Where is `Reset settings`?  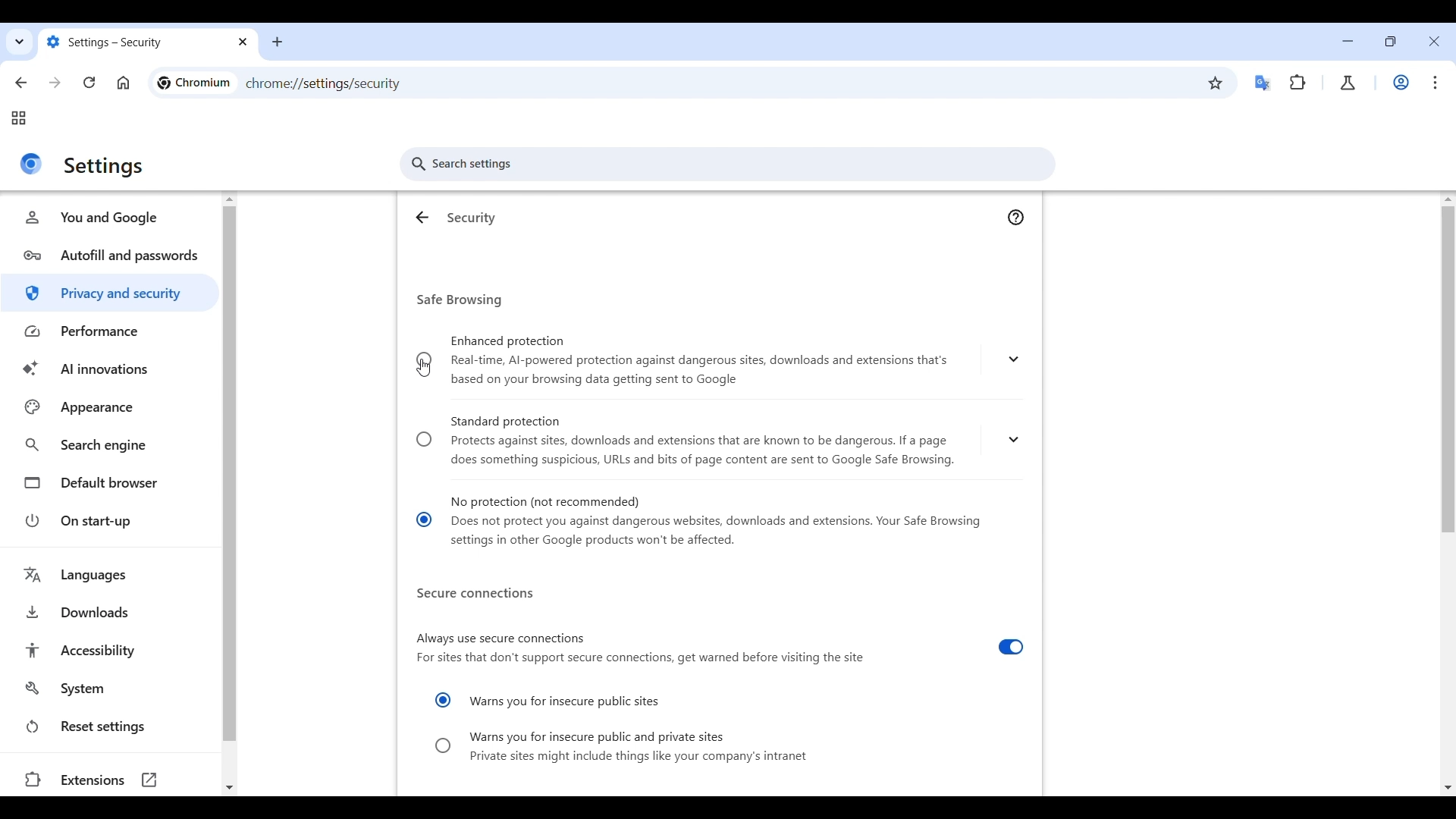 Reset settings is located at coordinates (111, 726).